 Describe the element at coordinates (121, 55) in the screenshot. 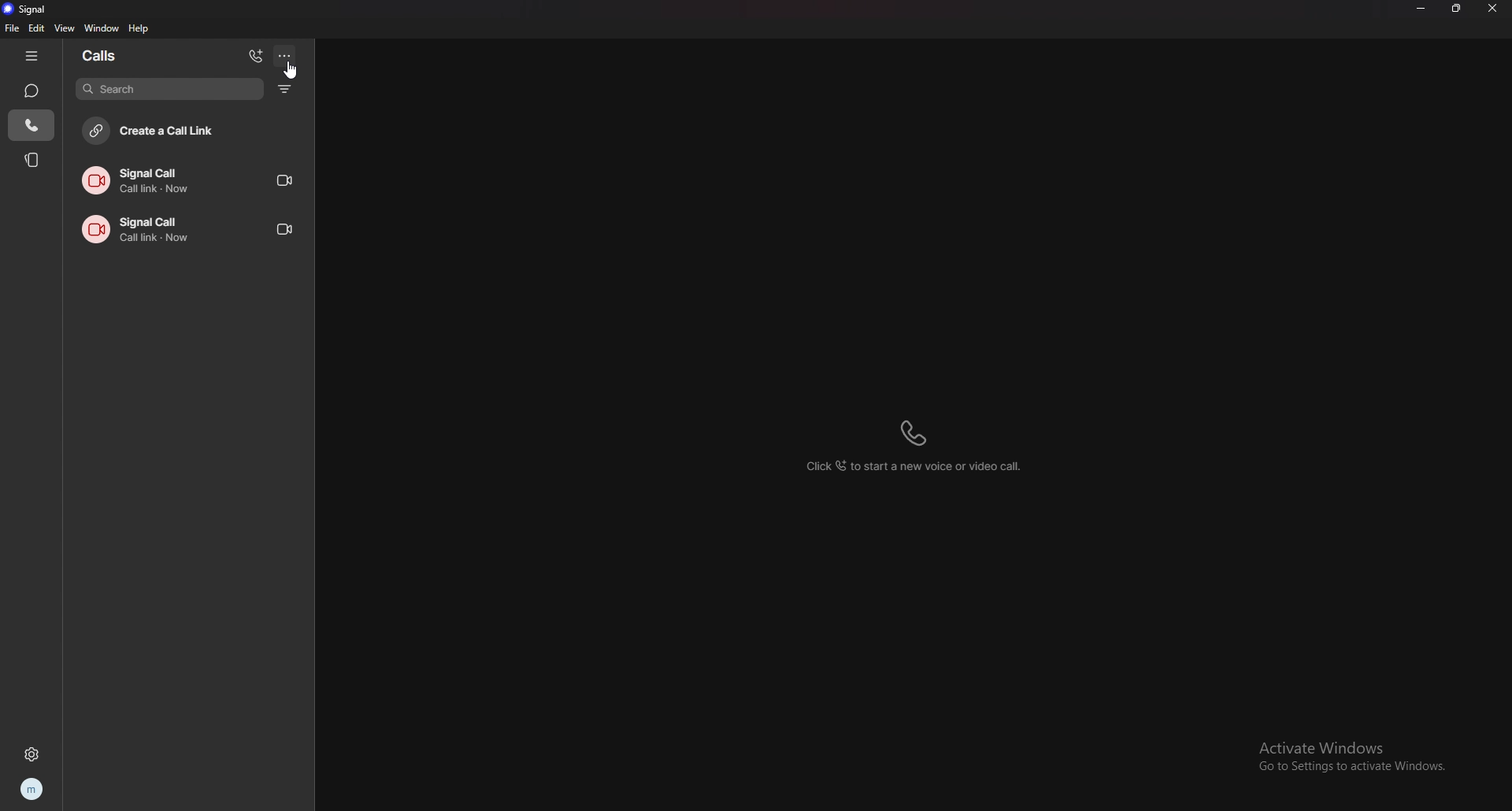

I see `calls` at that location.